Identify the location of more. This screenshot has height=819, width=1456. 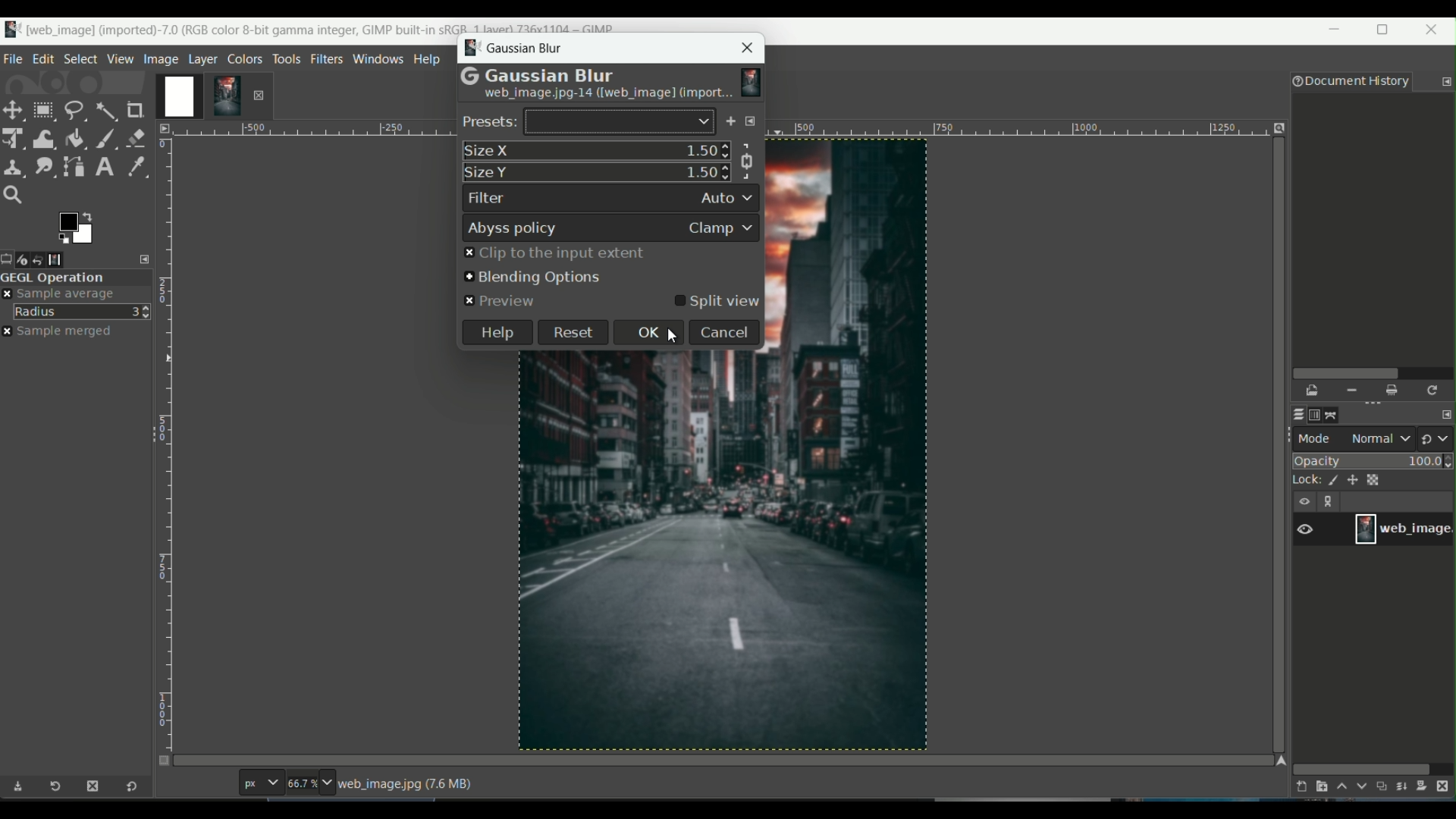
(752, 122).